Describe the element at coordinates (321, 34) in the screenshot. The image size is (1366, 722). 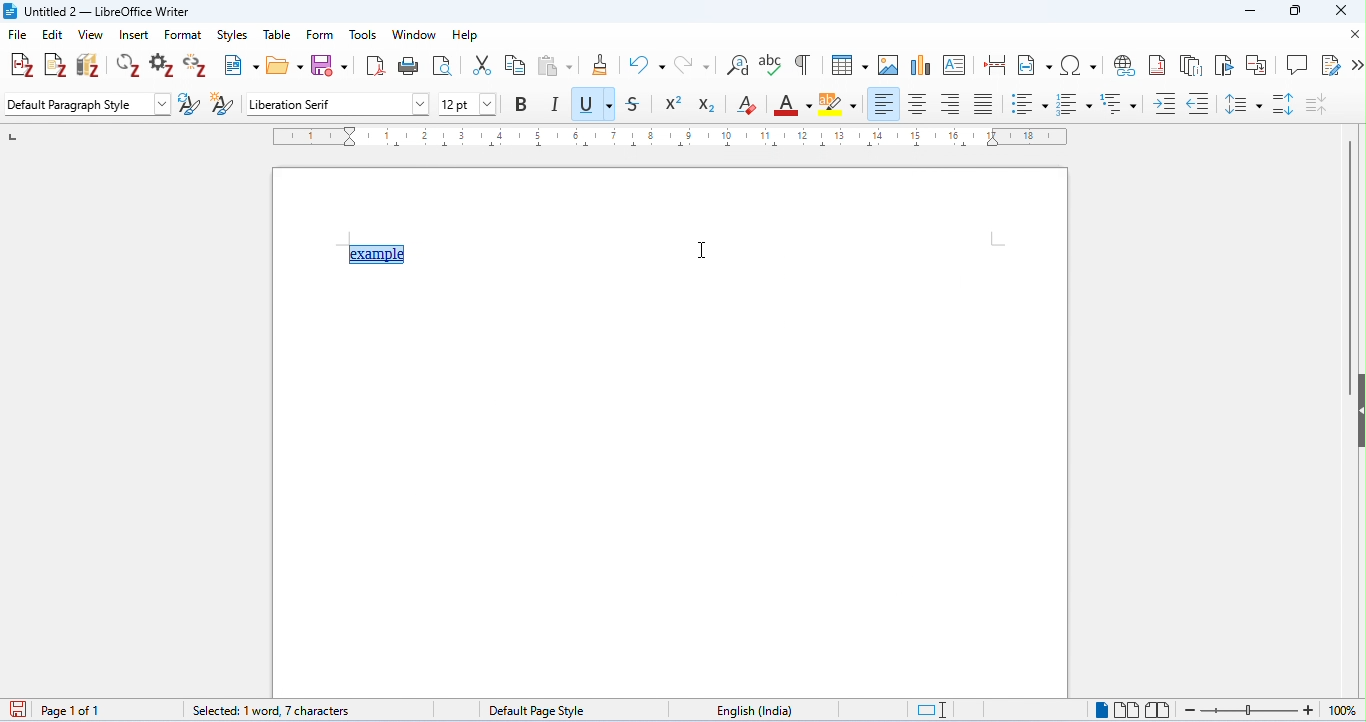
I see `form` at that location.